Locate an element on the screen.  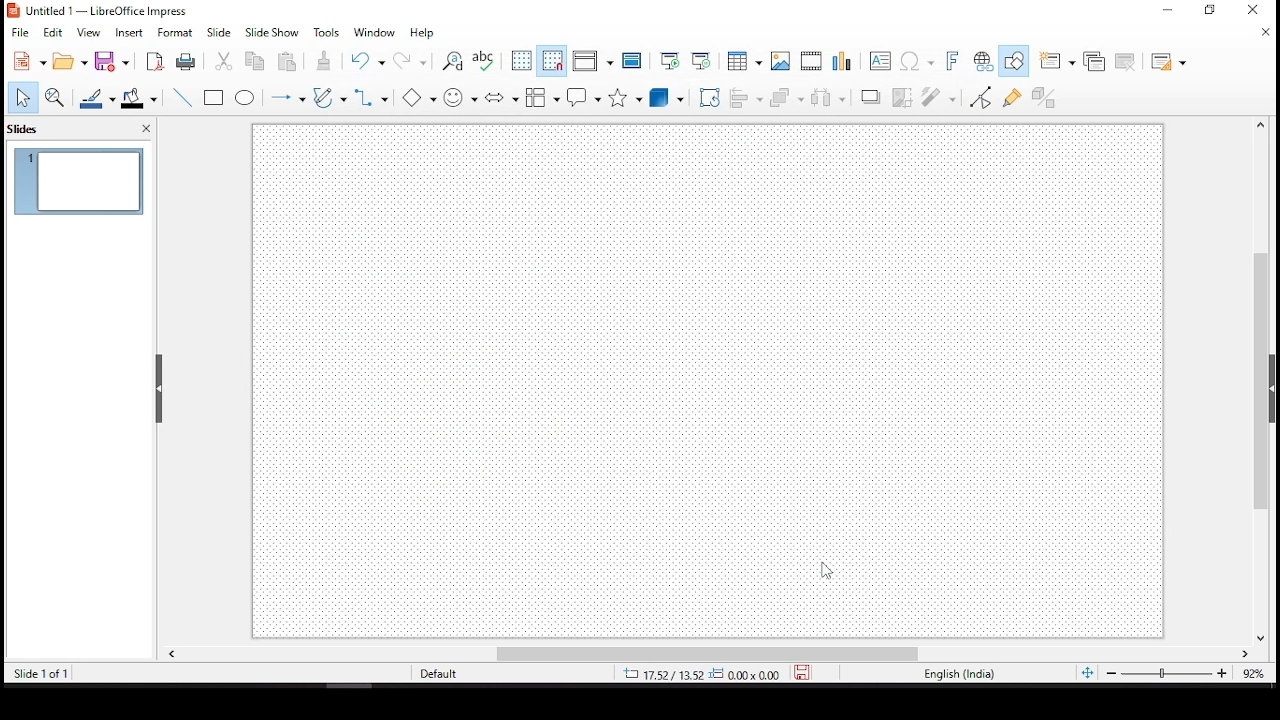
symbol shapes is located at coordinates (457, 97).